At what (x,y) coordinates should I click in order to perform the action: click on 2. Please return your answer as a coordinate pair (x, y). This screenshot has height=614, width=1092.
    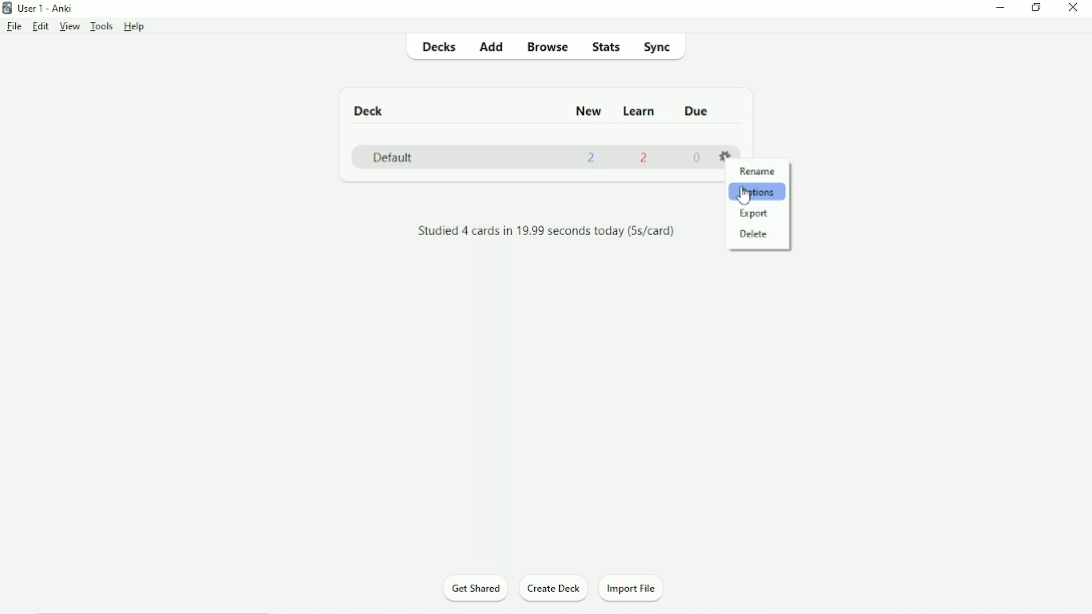
    Looking at the image, I should click on (647, 161).